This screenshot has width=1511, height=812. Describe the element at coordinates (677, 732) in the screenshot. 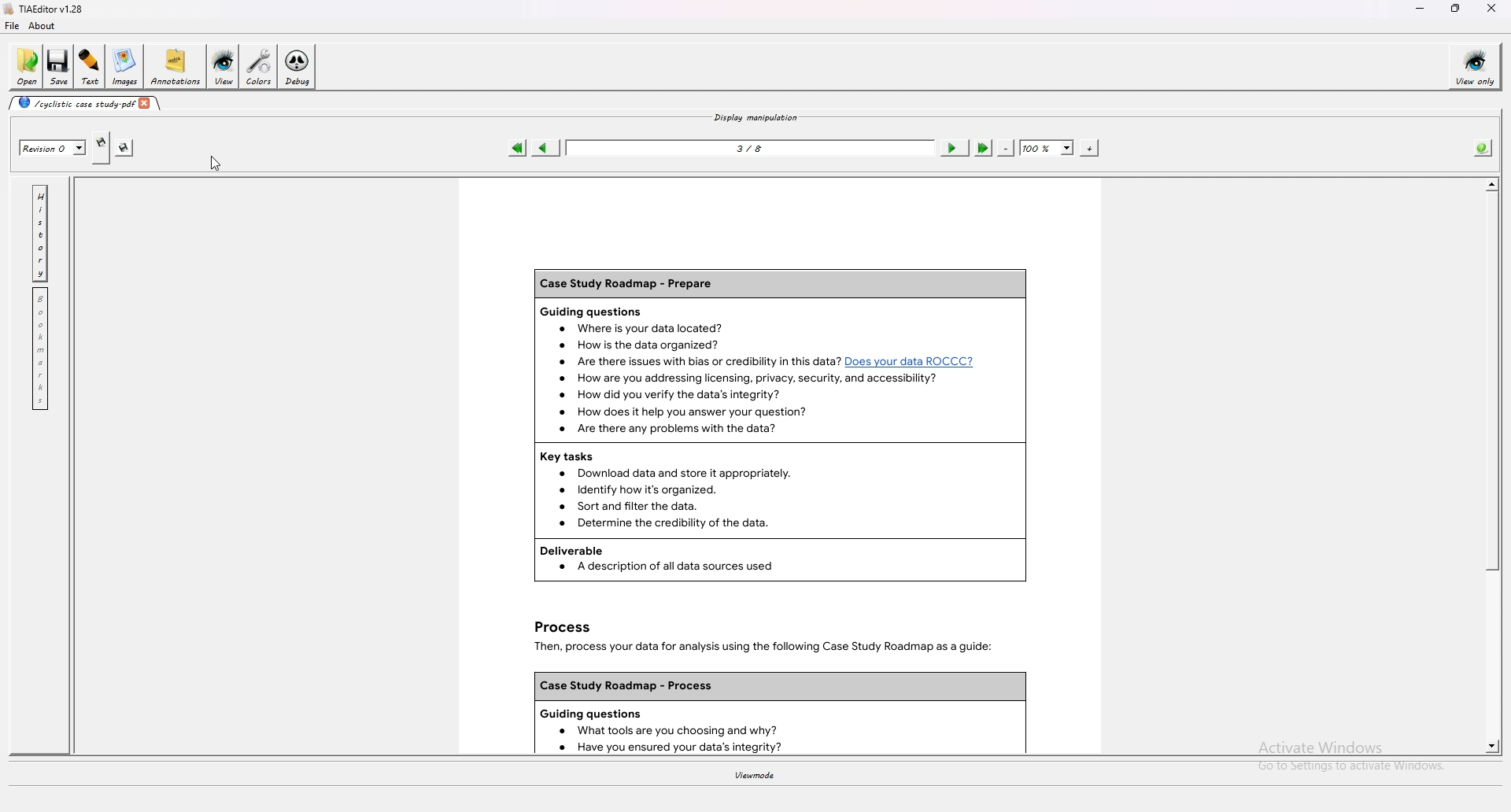

I see `What tools are you choosing and why?` at that location.